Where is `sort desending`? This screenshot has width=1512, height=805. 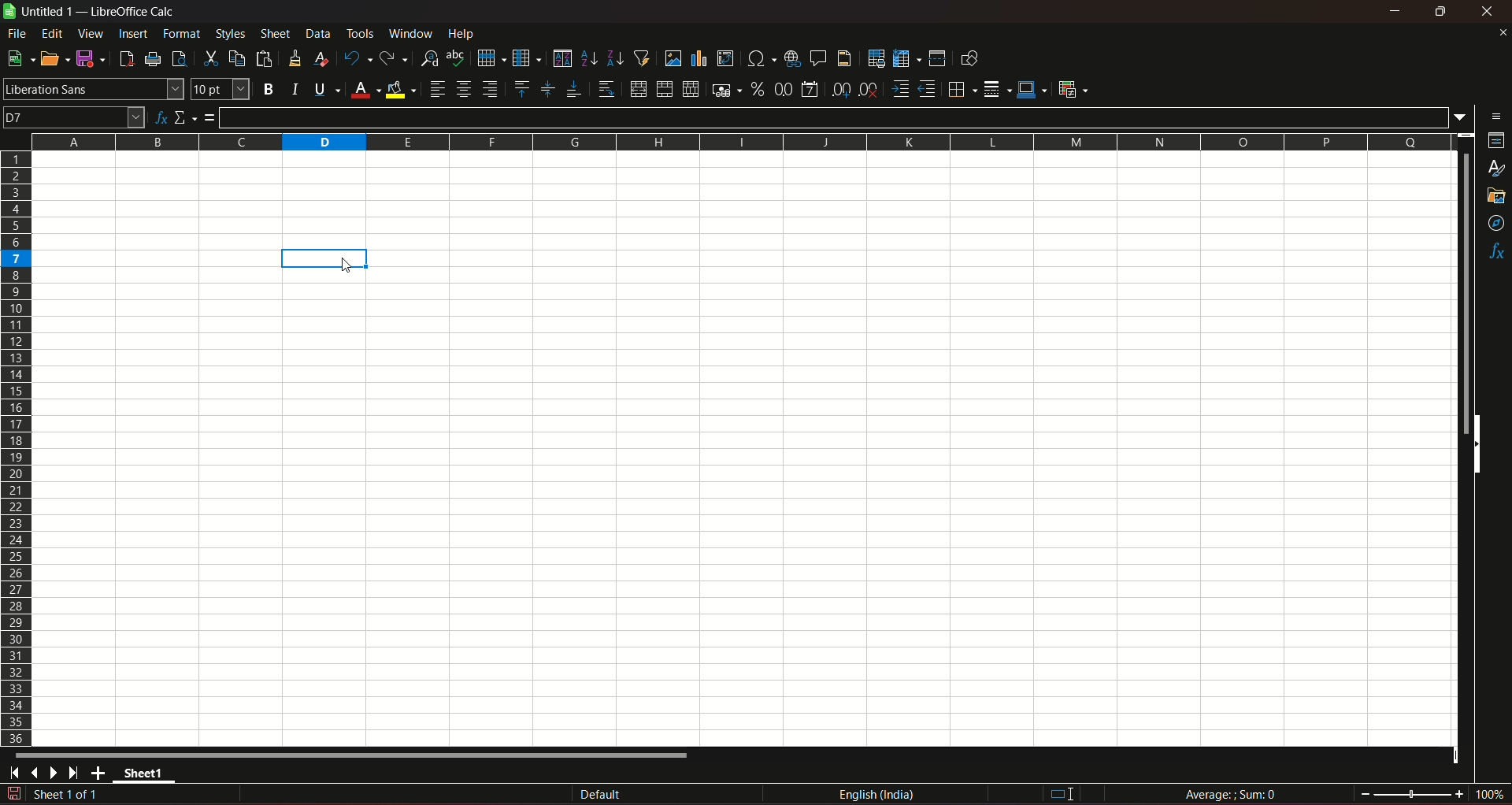
sort desending is located at coordinates (616, 57).